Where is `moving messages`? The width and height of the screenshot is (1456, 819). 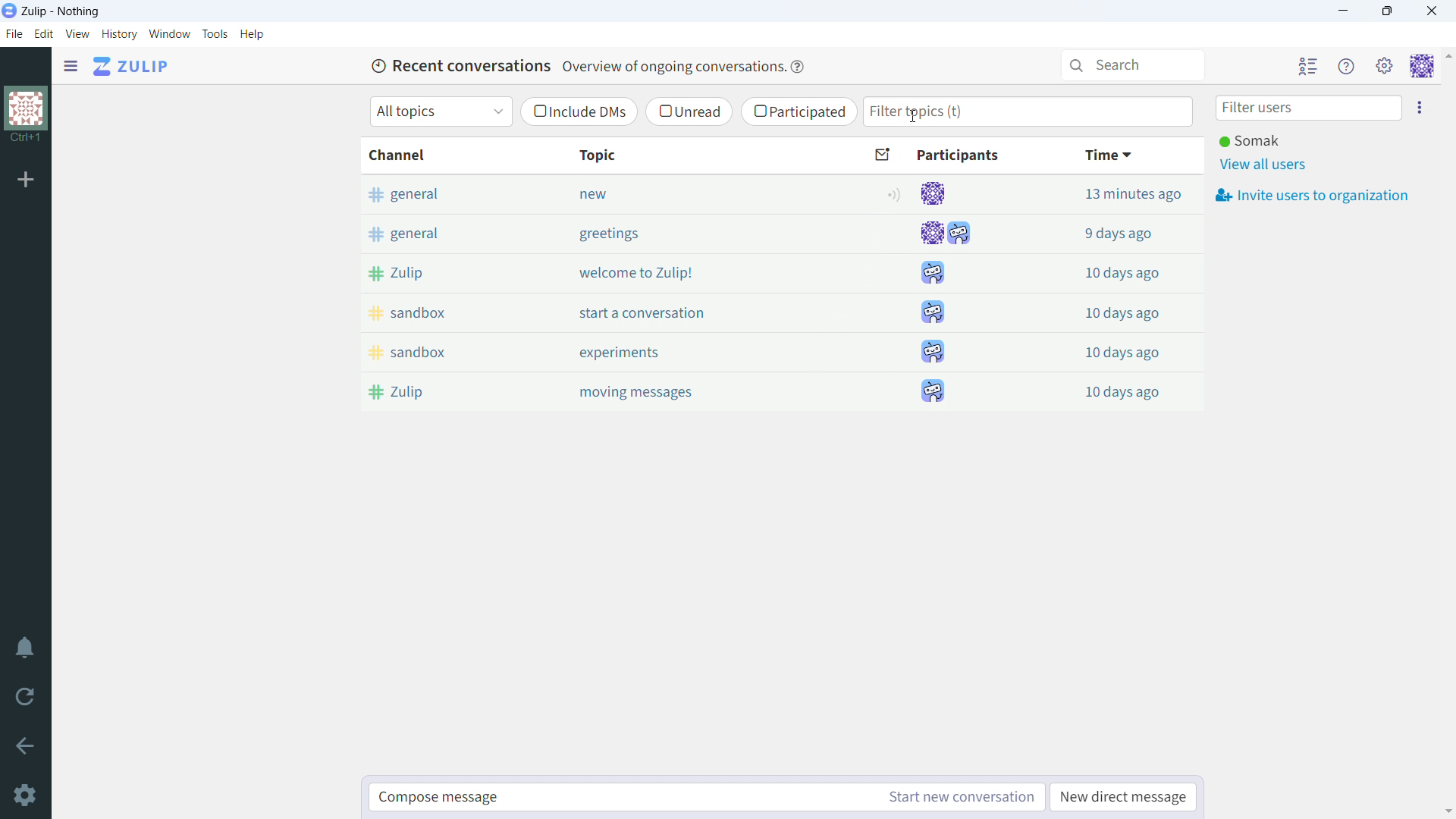 moving messages is located at coordinates (698, 392).